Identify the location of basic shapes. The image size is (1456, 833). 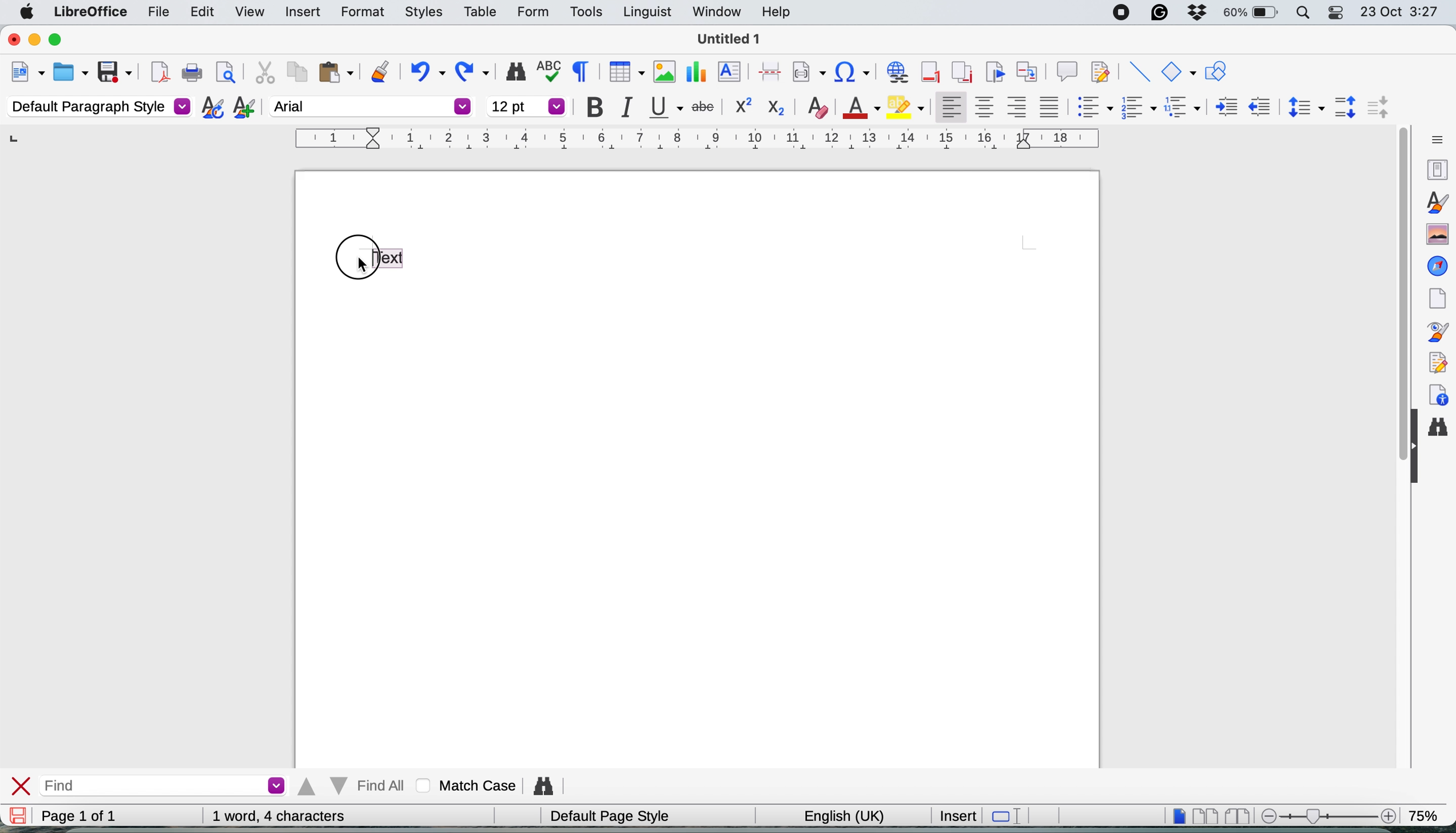
(1179, 74).